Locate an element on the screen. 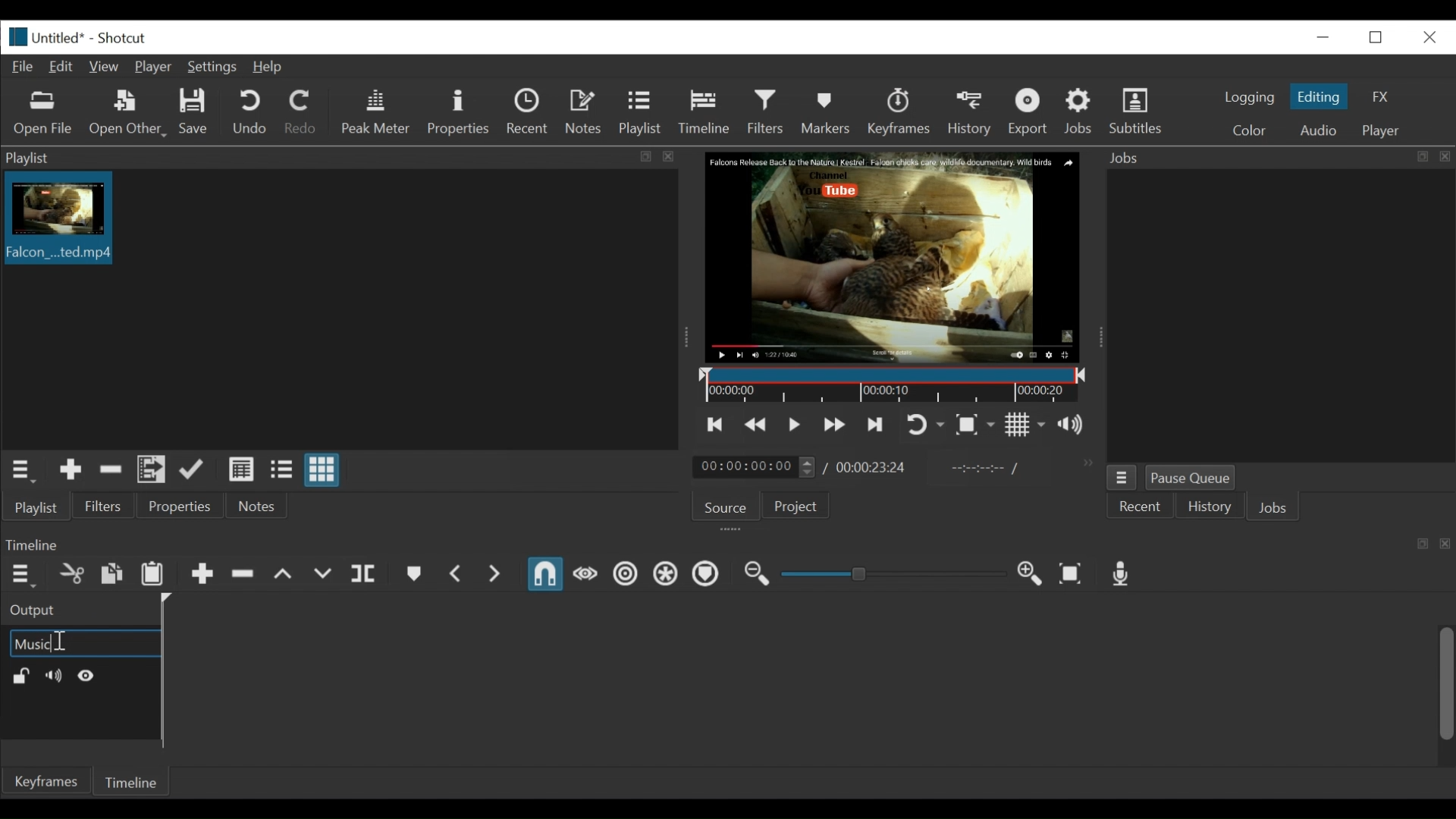 The height and width of the screenshot is (819, 1456). vertical scroll bar is located at coordinates (1433, 692).